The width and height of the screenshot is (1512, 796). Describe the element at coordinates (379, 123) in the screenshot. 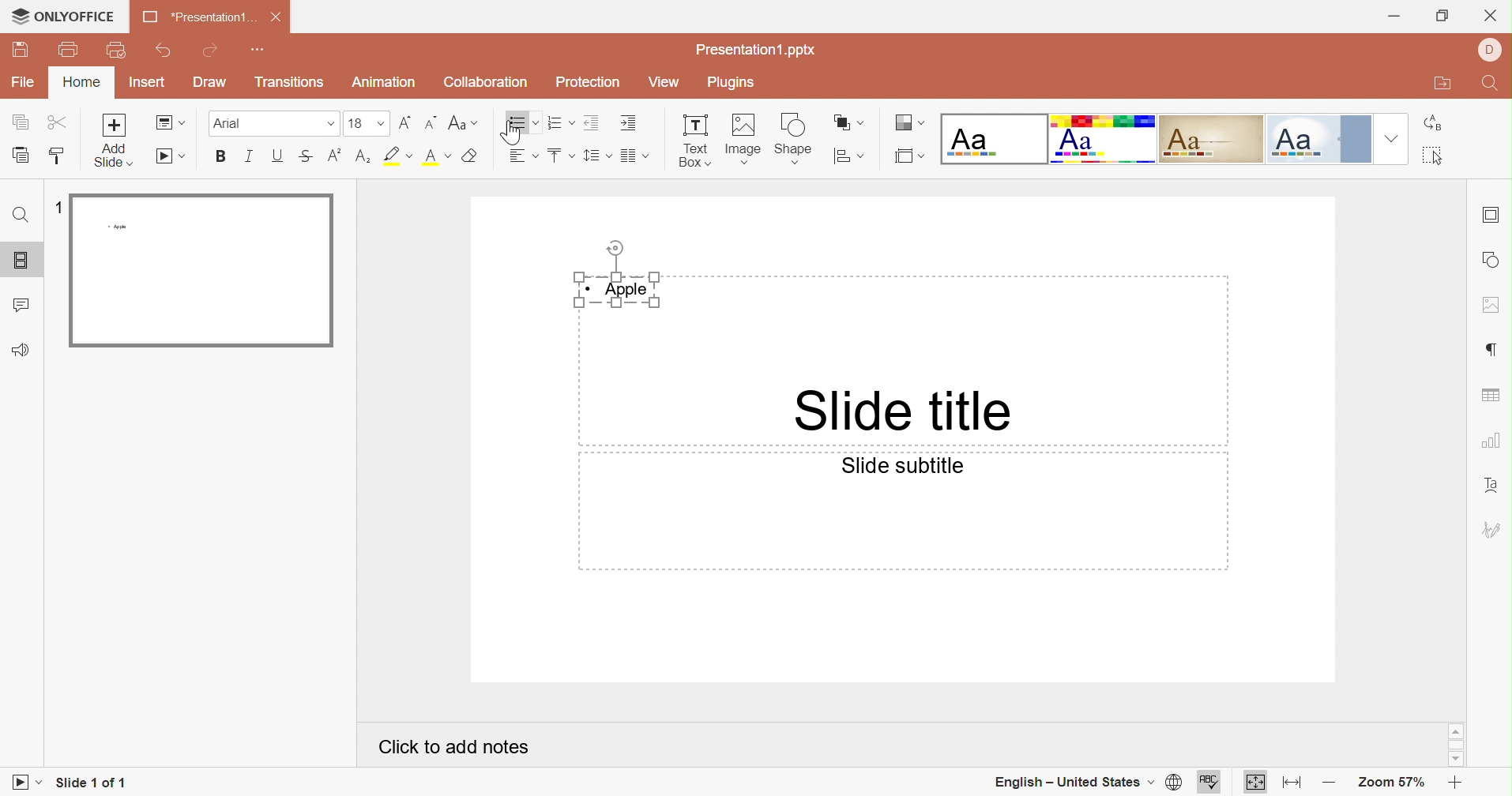

I see `Drop Down` at that location.